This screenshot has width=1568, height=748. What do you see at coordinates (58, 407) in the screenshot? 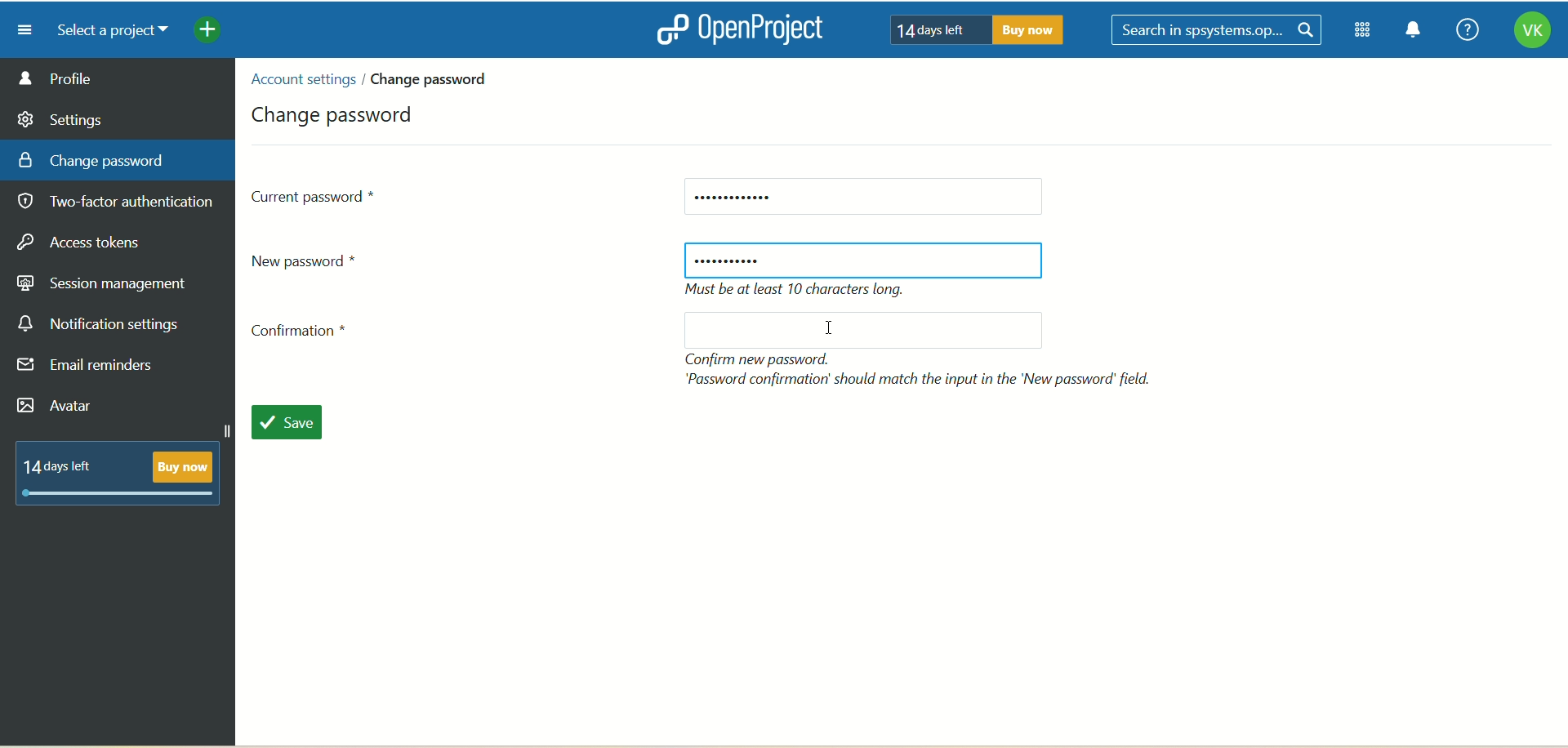
I see `avatar` at bounding box center [58, 407].